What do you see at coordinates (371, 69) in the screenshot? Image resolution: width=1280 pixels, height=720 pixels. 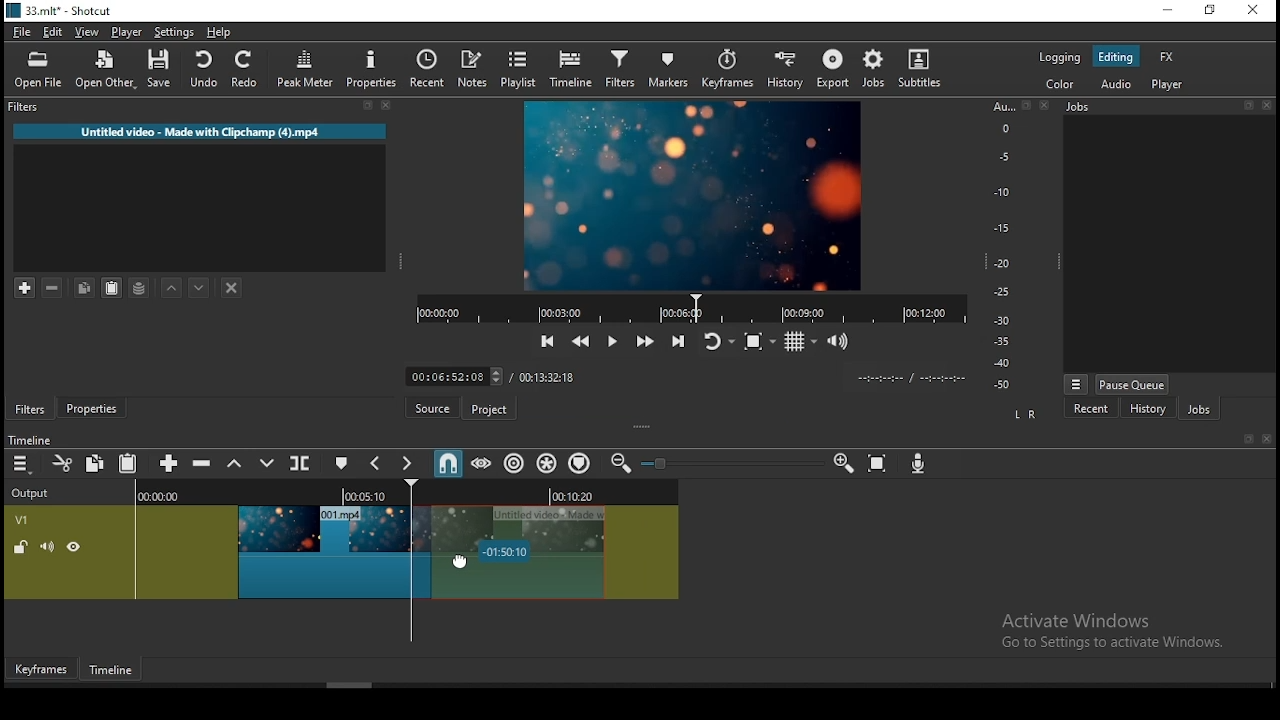 I see `properties` at bounding box center [371, 69].